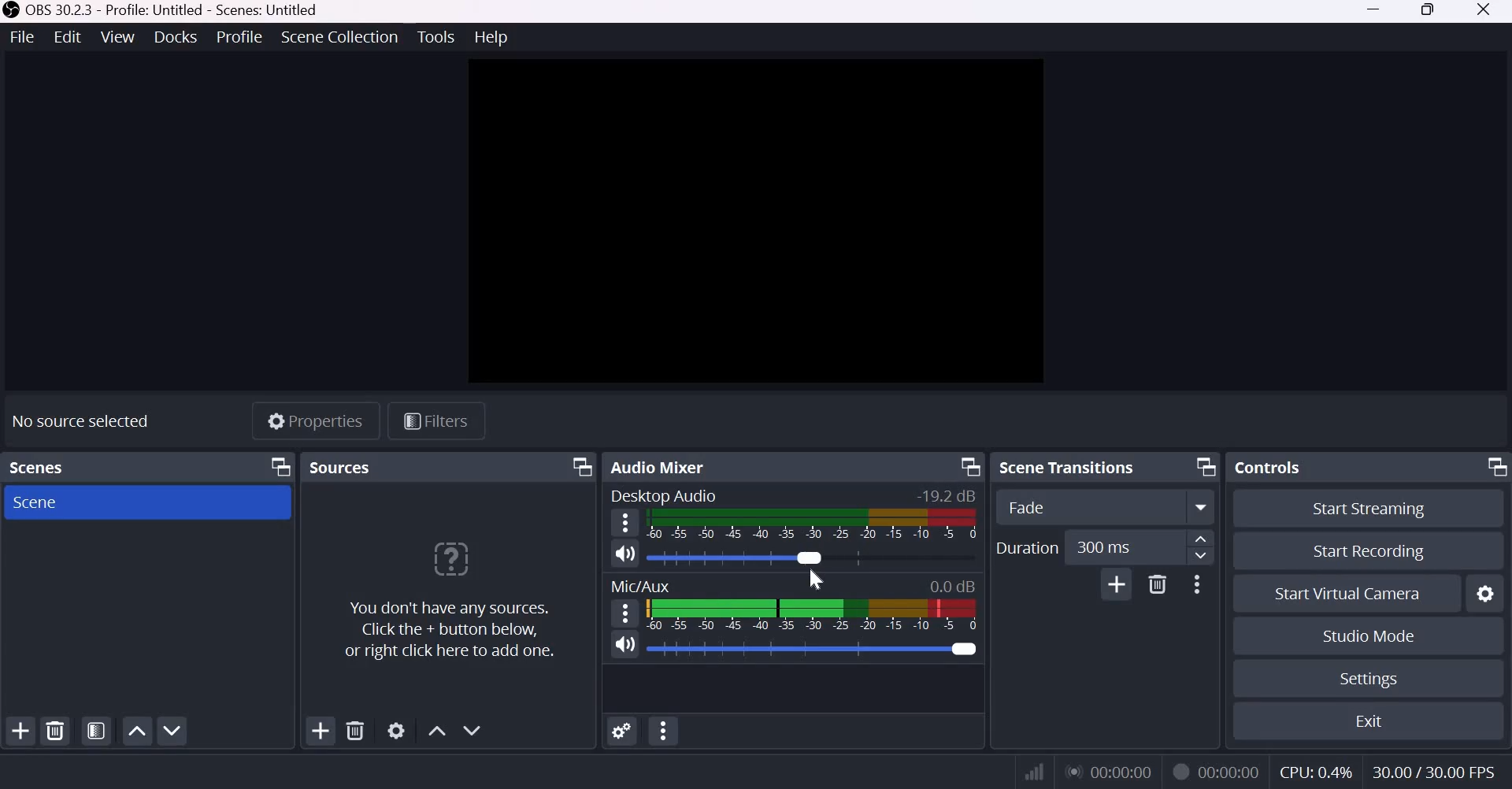  I want to click on More Options, so click(1195, 585).